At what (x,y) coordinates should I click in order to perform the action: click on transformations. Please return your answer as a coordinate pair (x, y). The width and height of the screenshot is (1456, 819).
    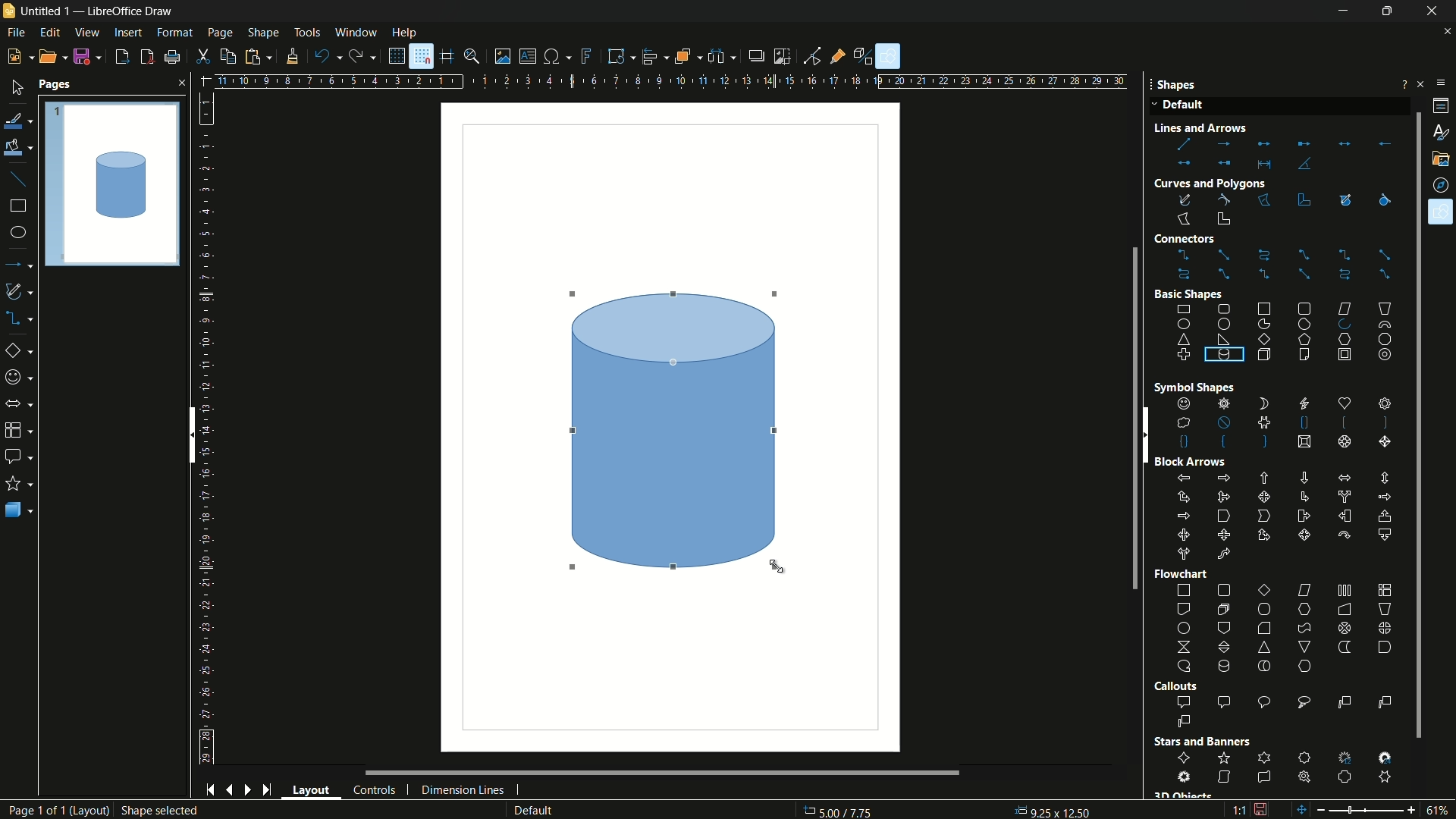
    Looking at the image, I should click on (620, 55).